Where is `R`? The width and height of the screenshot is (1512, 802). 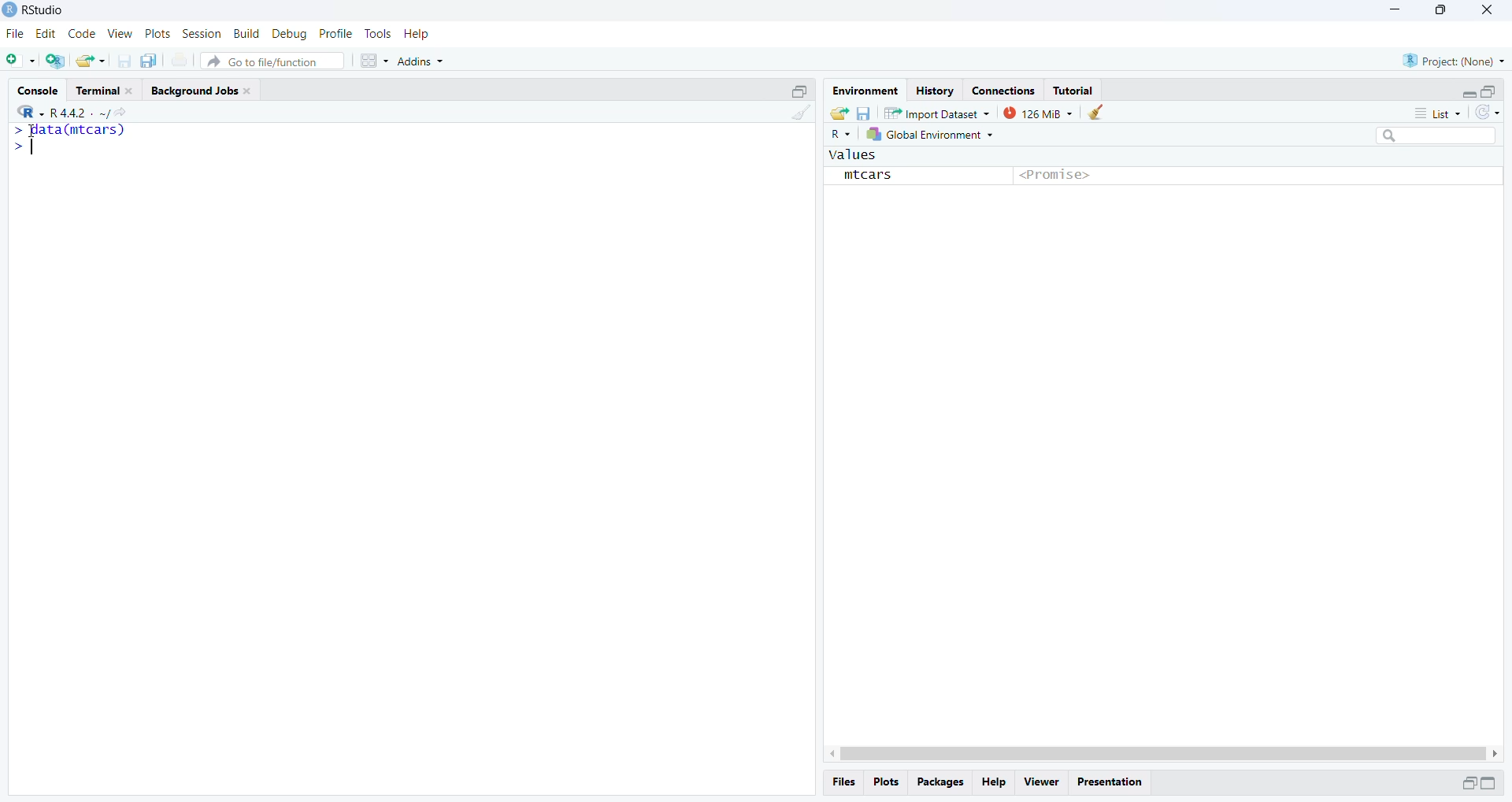 R is located at coordinates (838, 136).